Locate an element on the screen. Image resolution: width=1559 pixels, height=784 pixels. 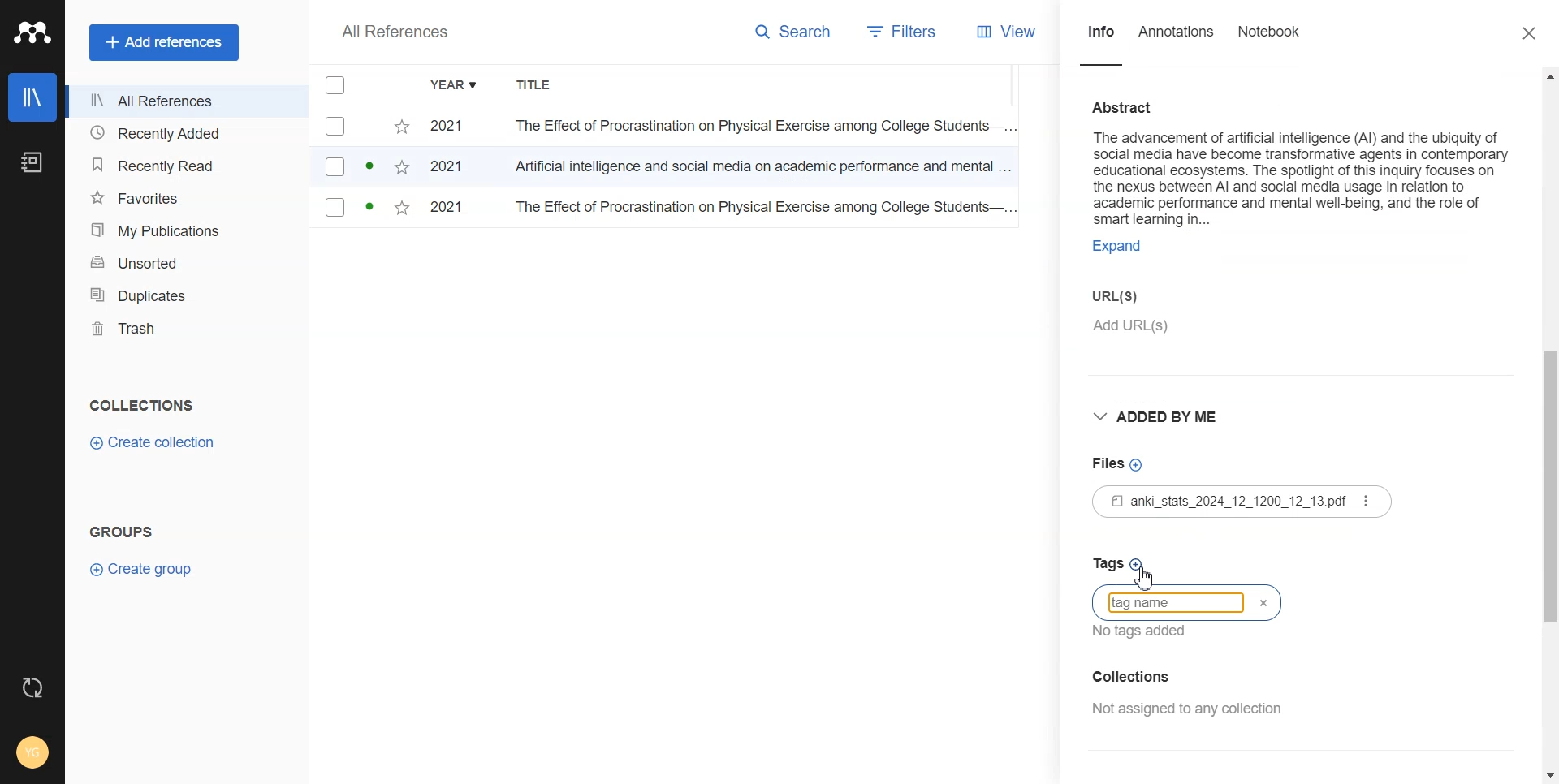
Write tag is located at coordinates (1177, 601).